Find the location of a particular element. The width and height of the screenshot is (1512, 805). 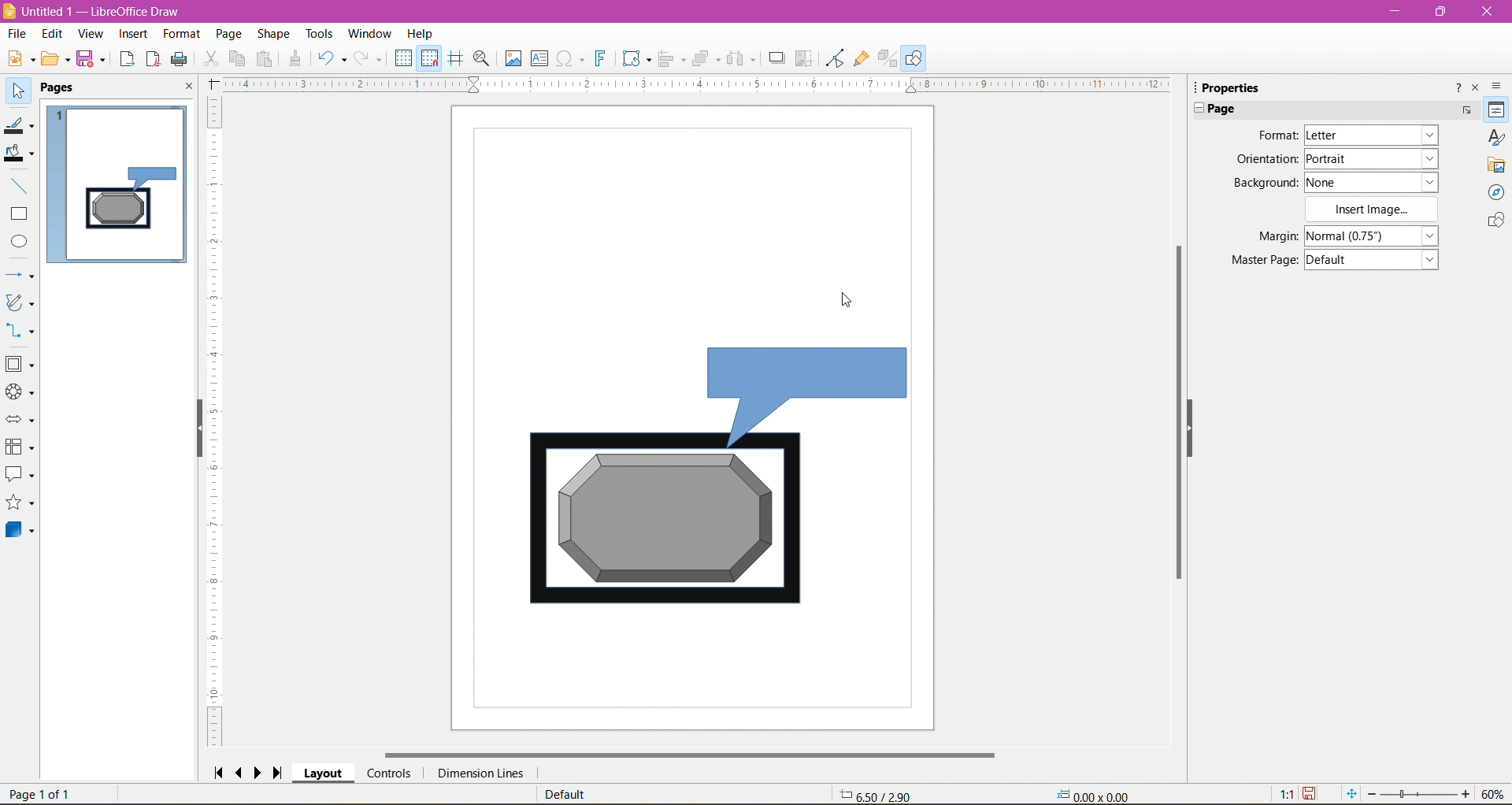

Insert Fontwork Text is located at coordinates (602, 60).